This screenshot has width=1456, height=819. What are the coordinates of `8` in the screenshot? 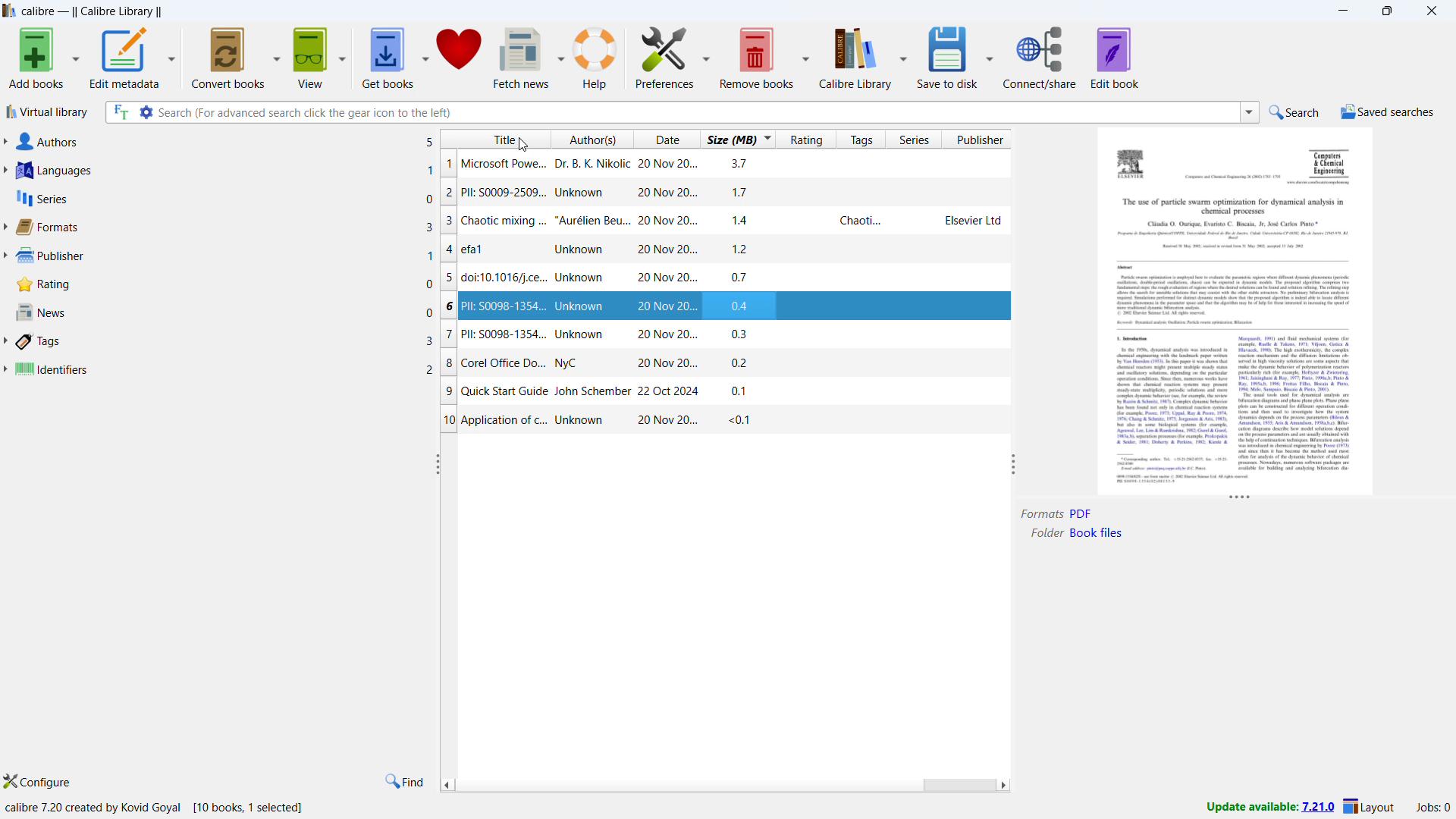 It's located at (449, 364).